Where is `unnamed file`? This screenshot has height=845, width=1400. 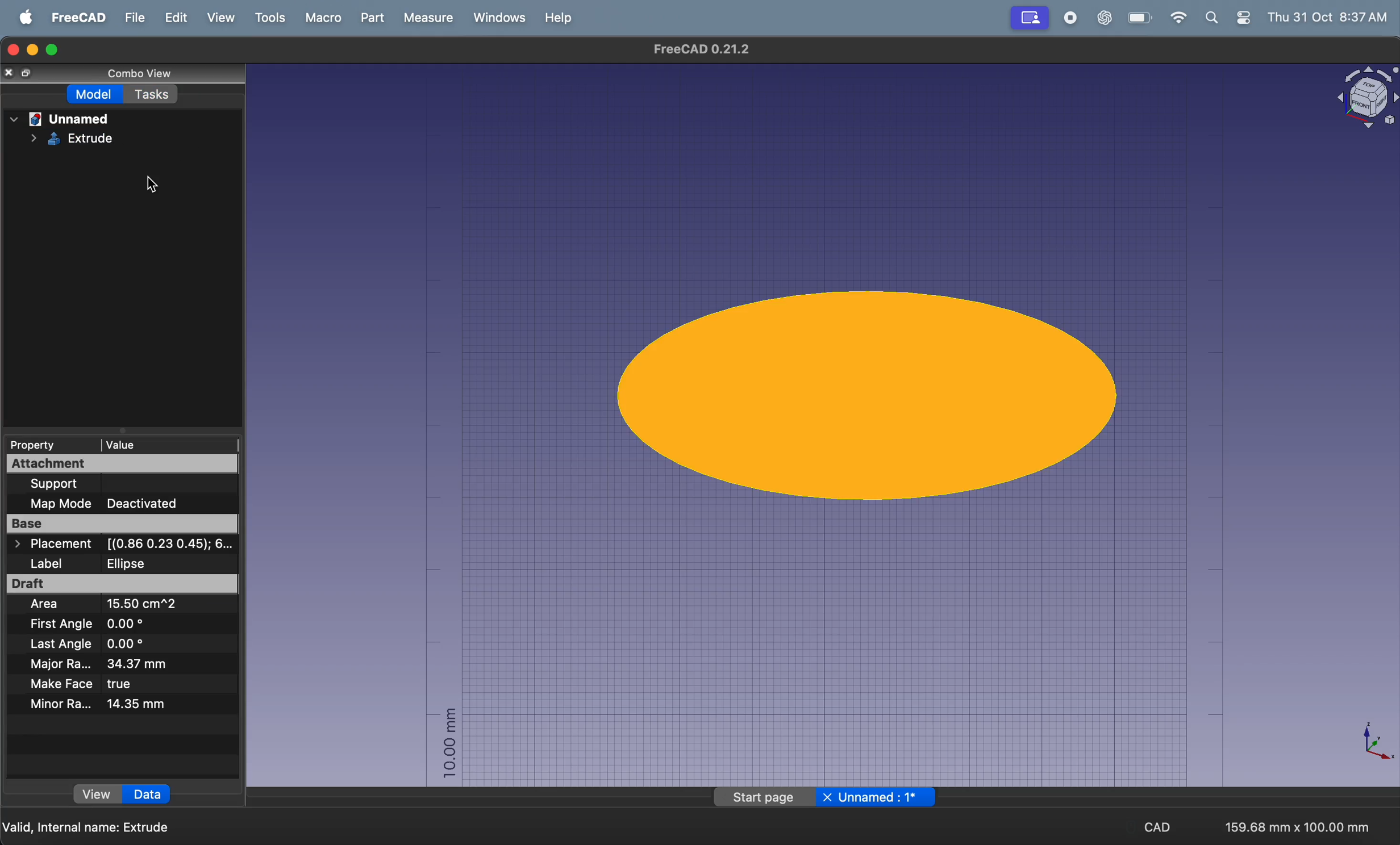
unnamed file is located at coordinates (61, 119).